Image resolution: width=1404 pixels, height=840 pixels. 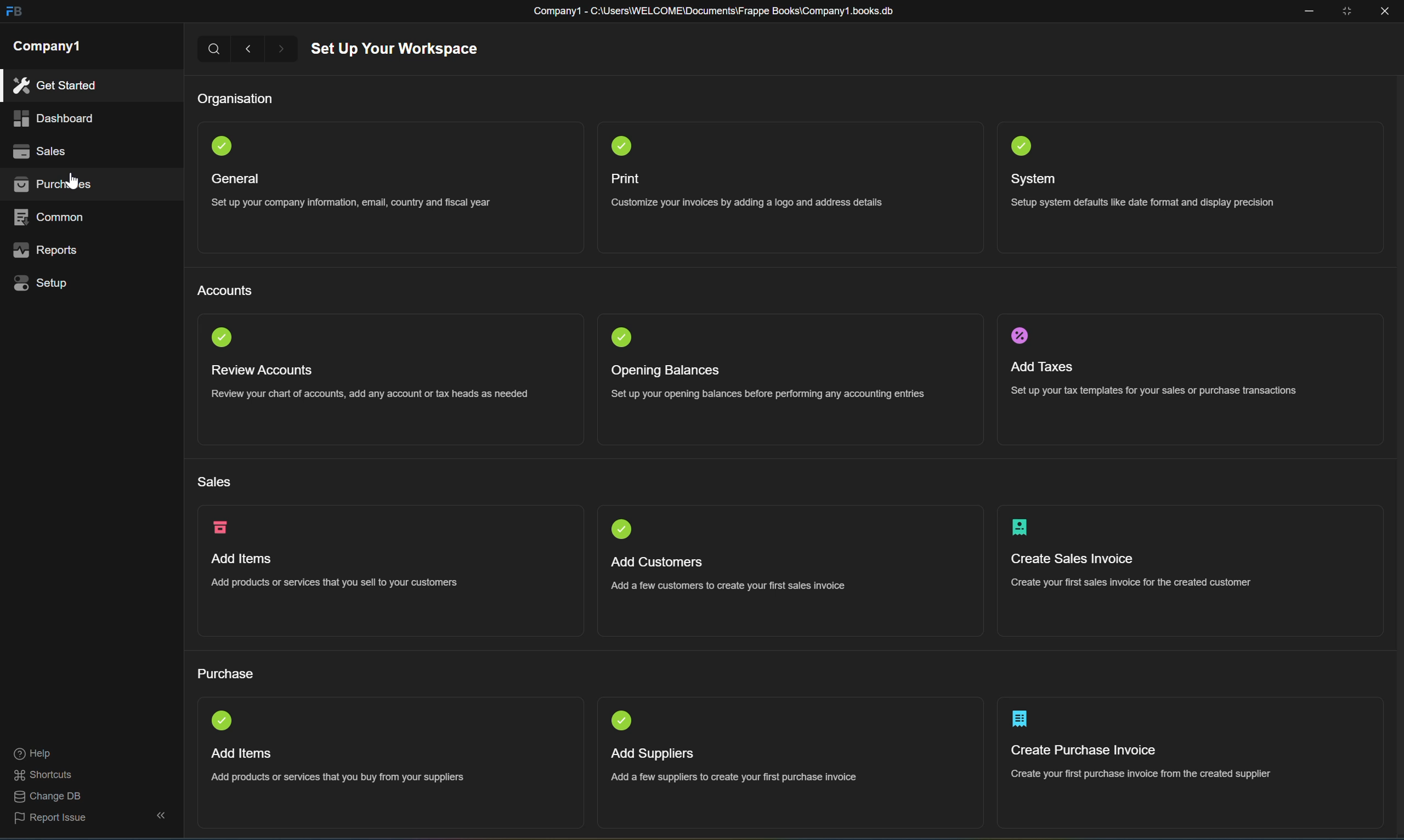 What do you see at coordinates (747, 203) in the screenshot?
I see `customize your invoices by adding a logo and address details` at bounding box center [747, 203].